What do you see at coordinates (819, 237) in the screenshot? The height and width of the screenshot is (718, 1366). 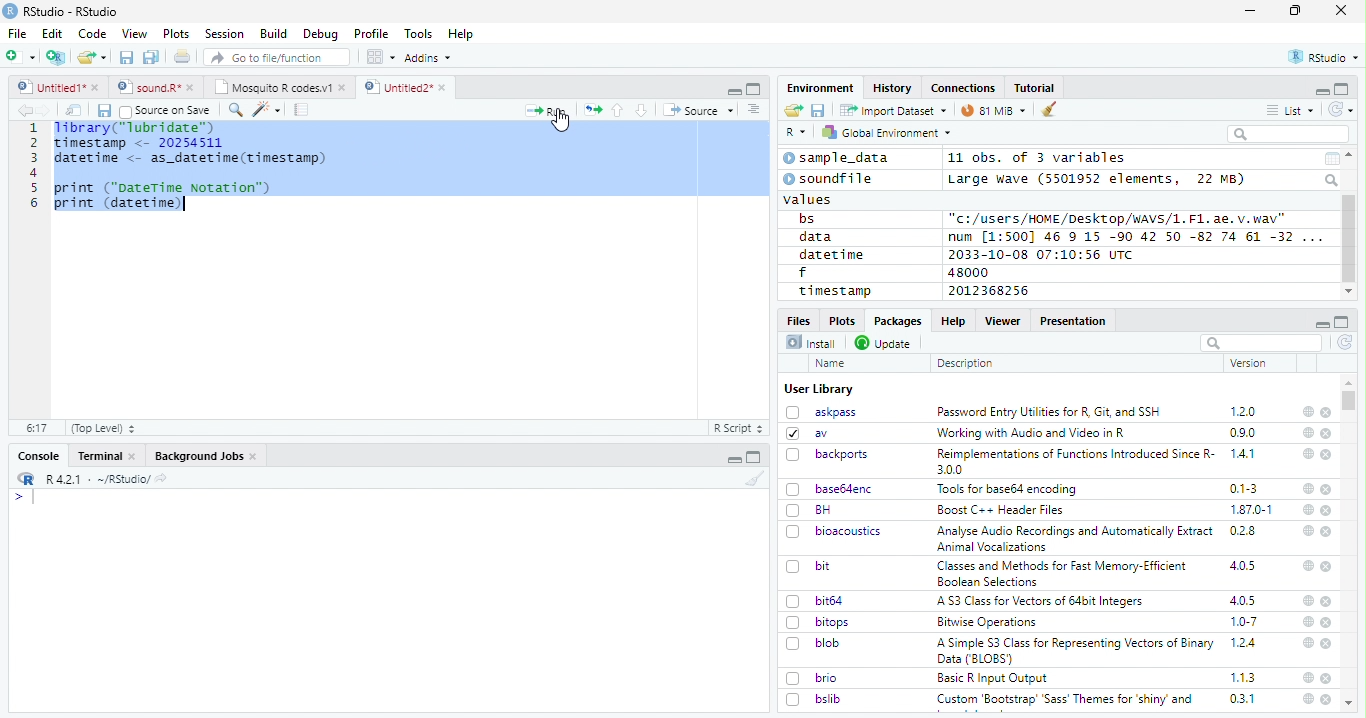 I see `data` at bounding box center [819, 237].